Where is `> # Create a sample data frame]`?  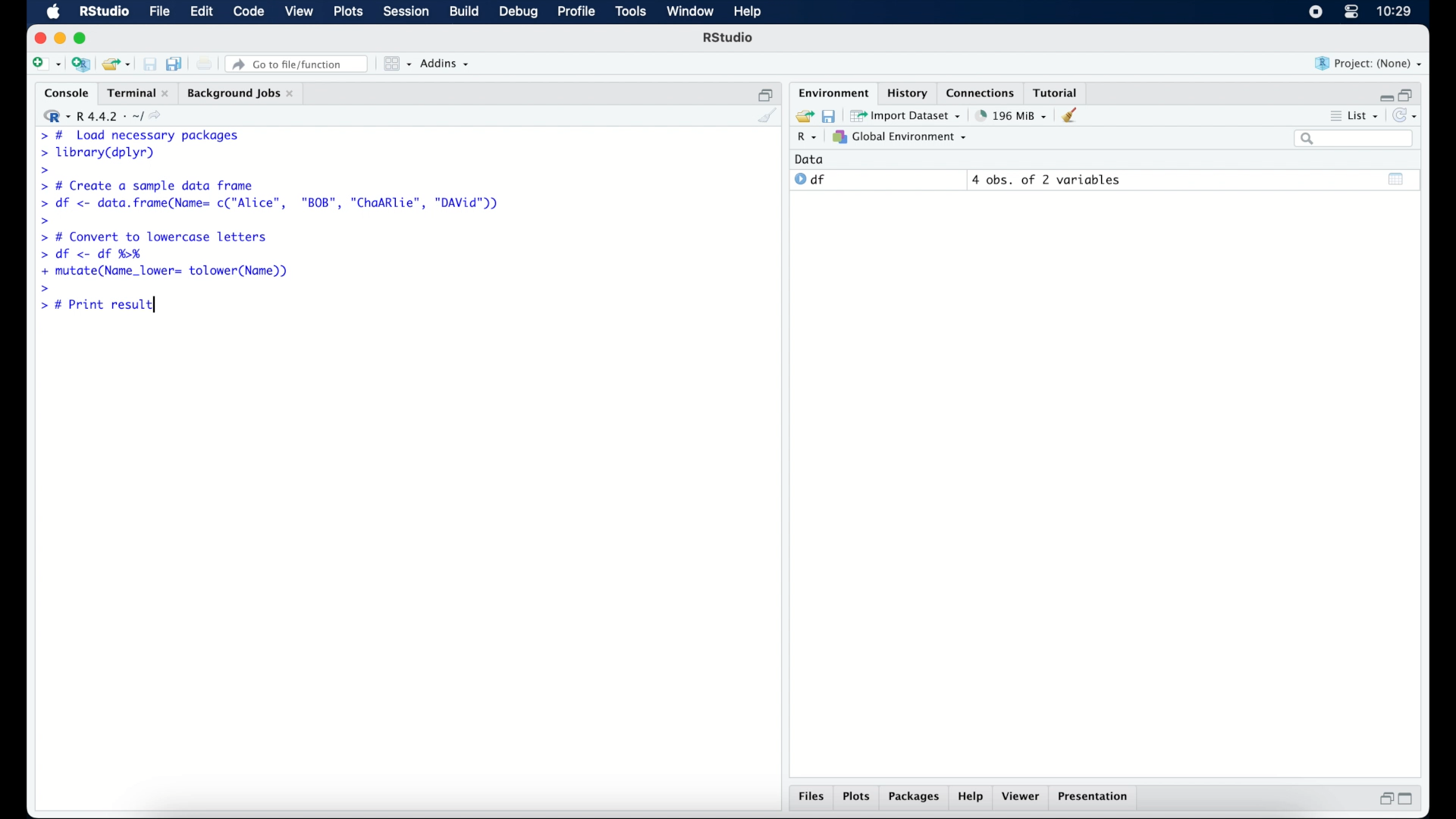
> # Create a sample data frame] is located at coordinates (150, 185).